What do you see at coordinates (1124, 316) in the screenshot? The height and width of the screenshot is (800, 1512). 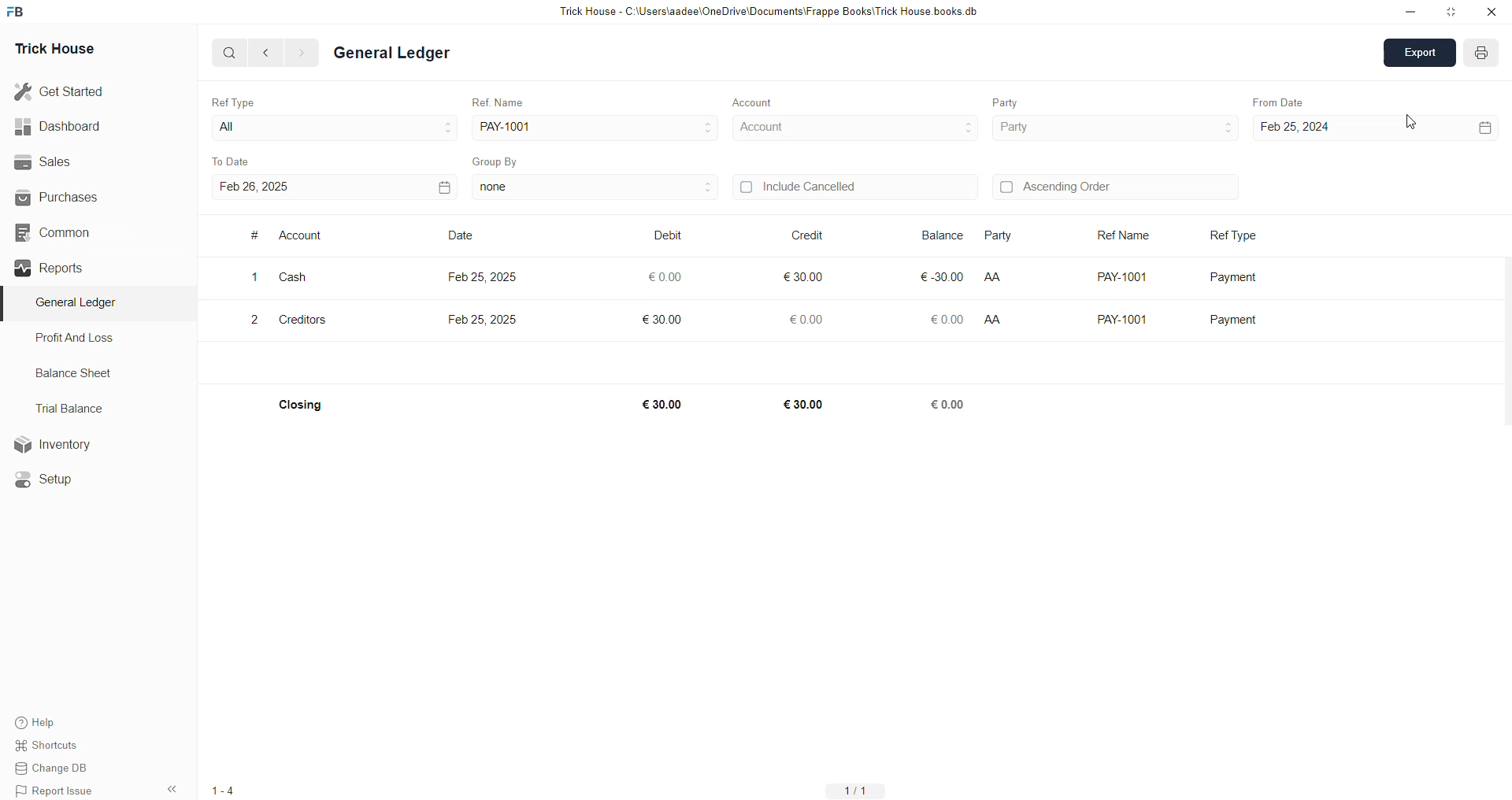 I see `PAY-1001` at bounding box center [1124, 316].